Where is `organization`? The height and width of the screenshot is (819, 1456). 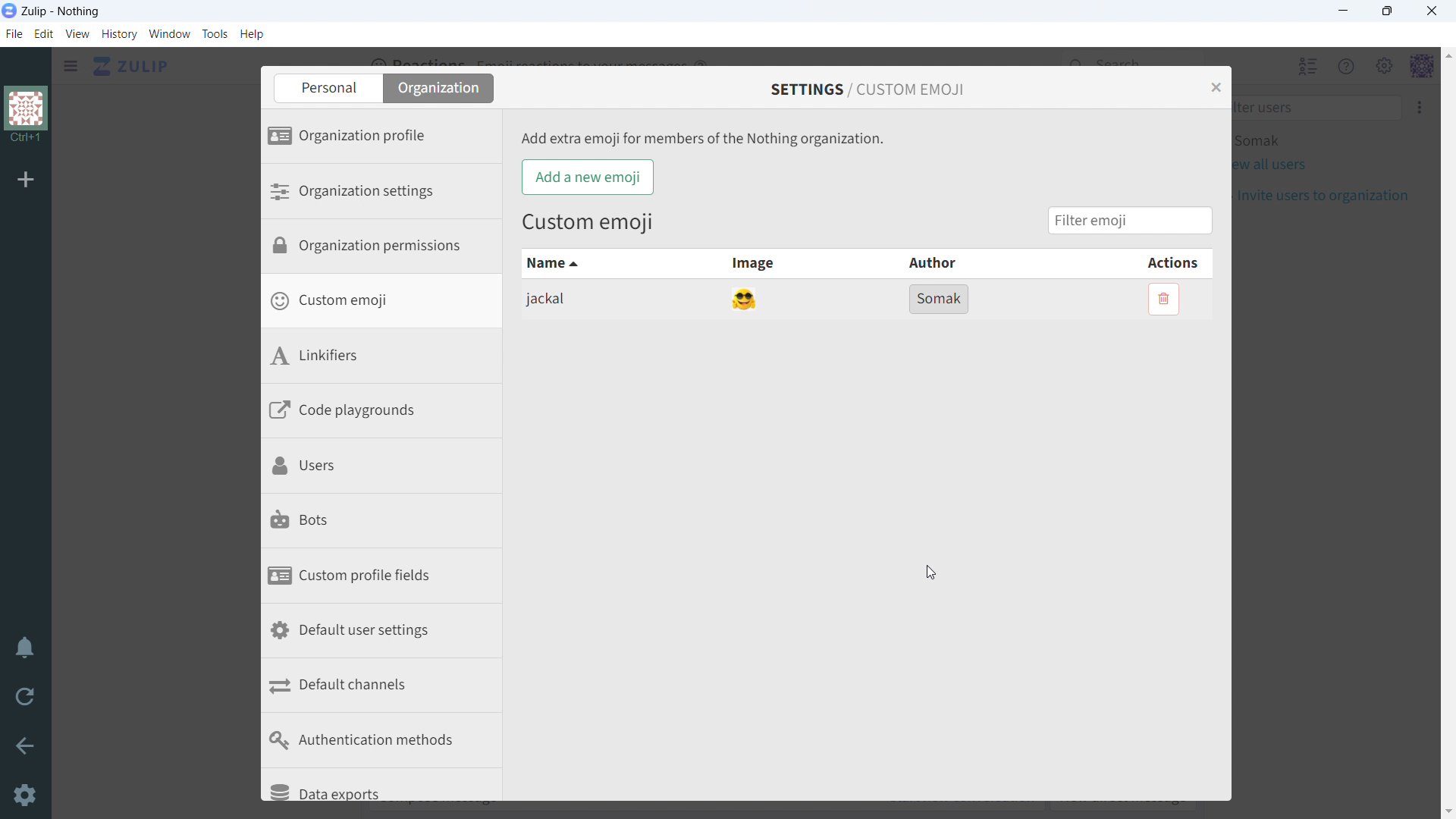 organization is located at coordinates (25, 116).